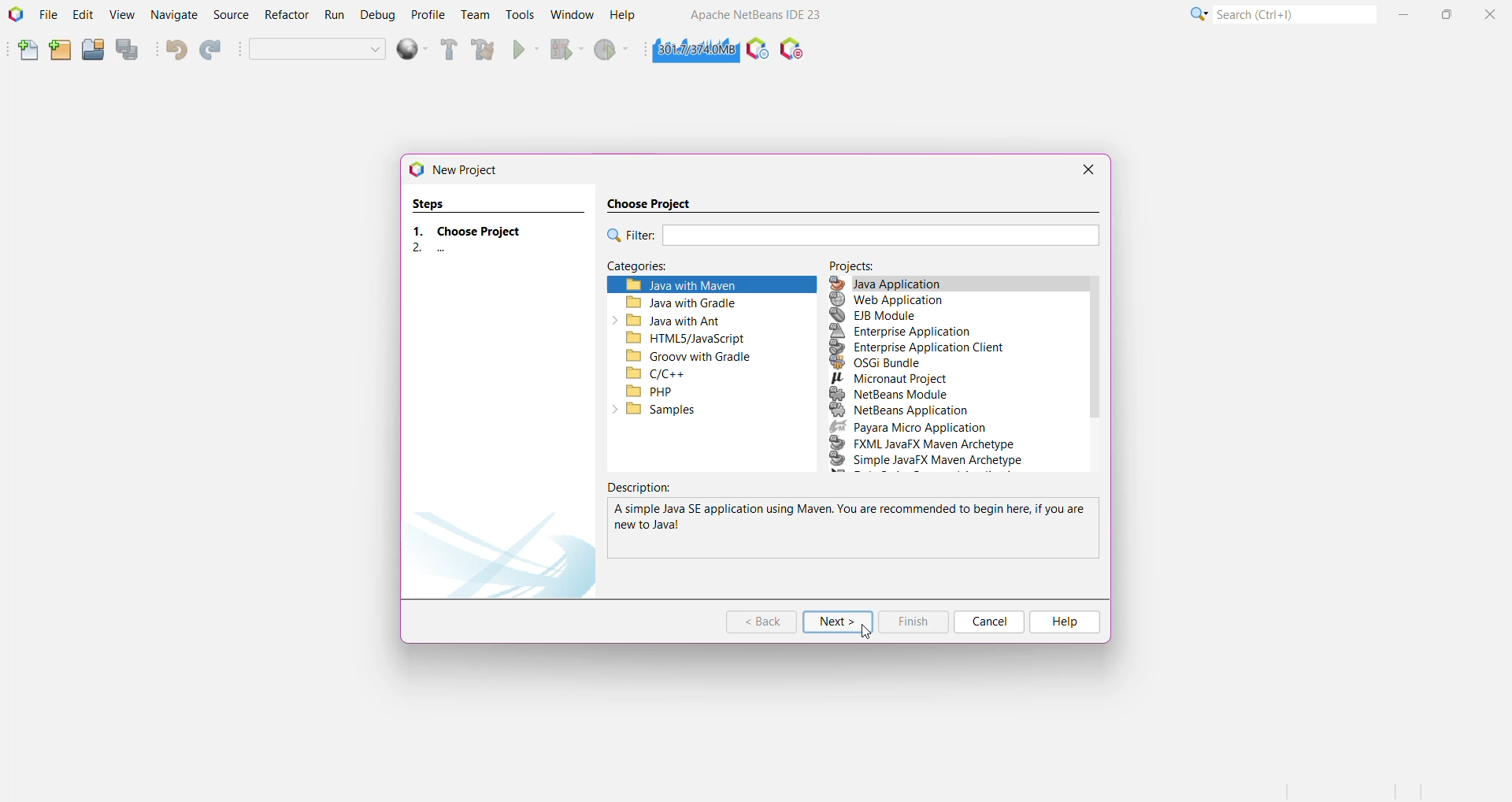  Describe the element at coordinates (59, 51) in the screenshot. I see `New Project` at that location.